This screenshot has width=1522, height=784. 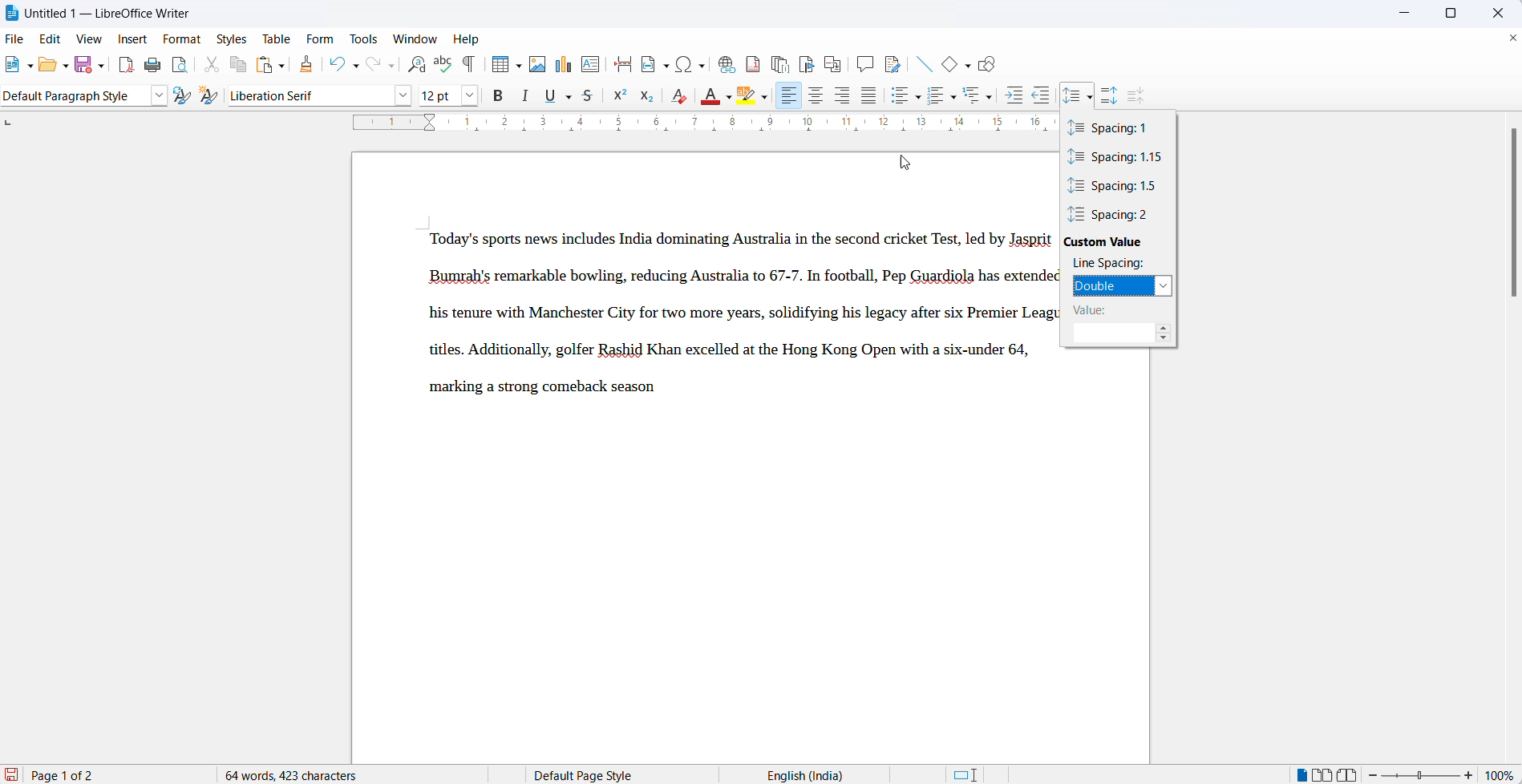 I want to click on text align right, so click(x=843, y=96).